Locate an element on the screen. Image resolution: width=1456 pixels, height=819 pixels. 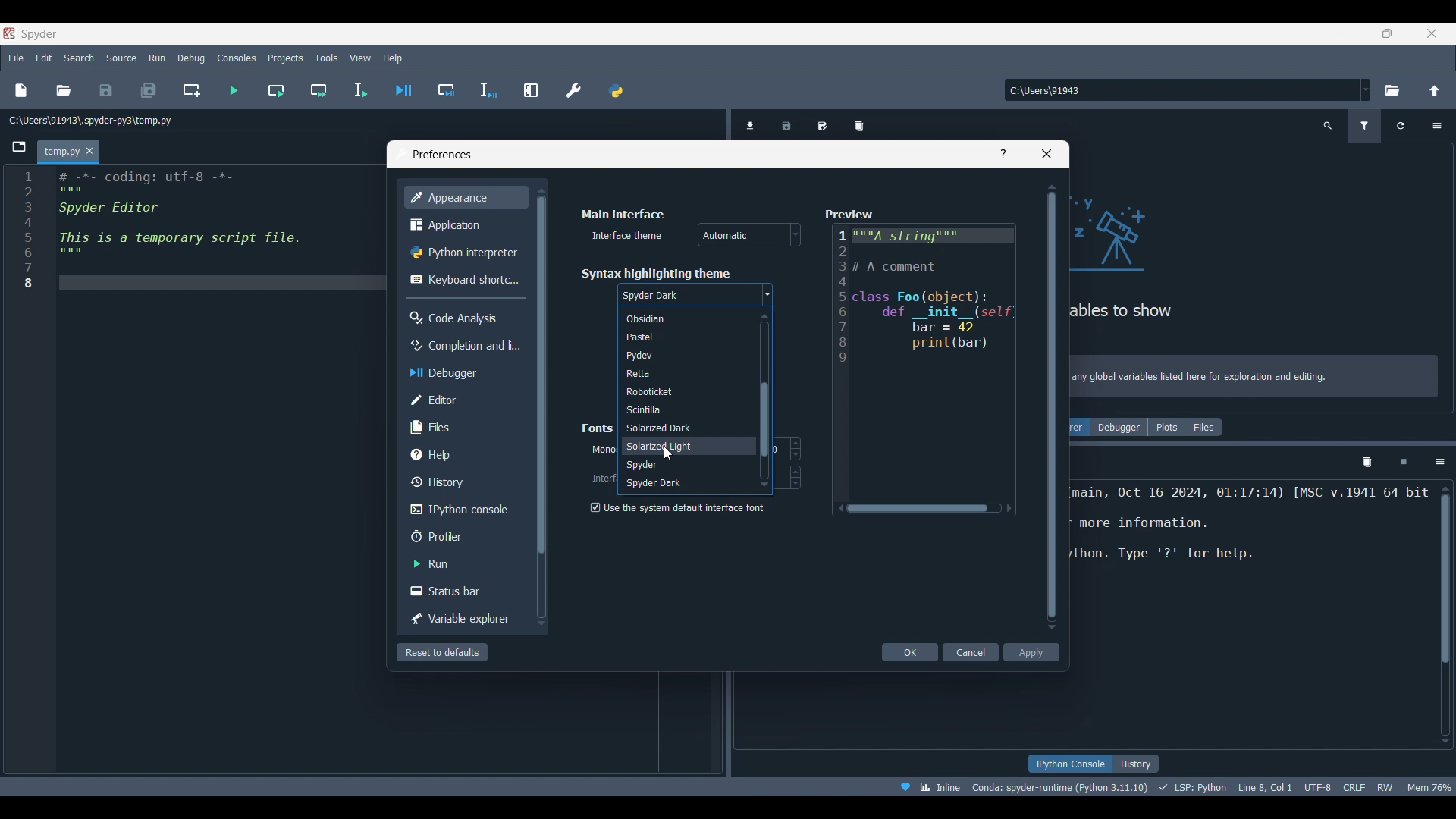
Variable explorer is located at coordinates (464, 619).